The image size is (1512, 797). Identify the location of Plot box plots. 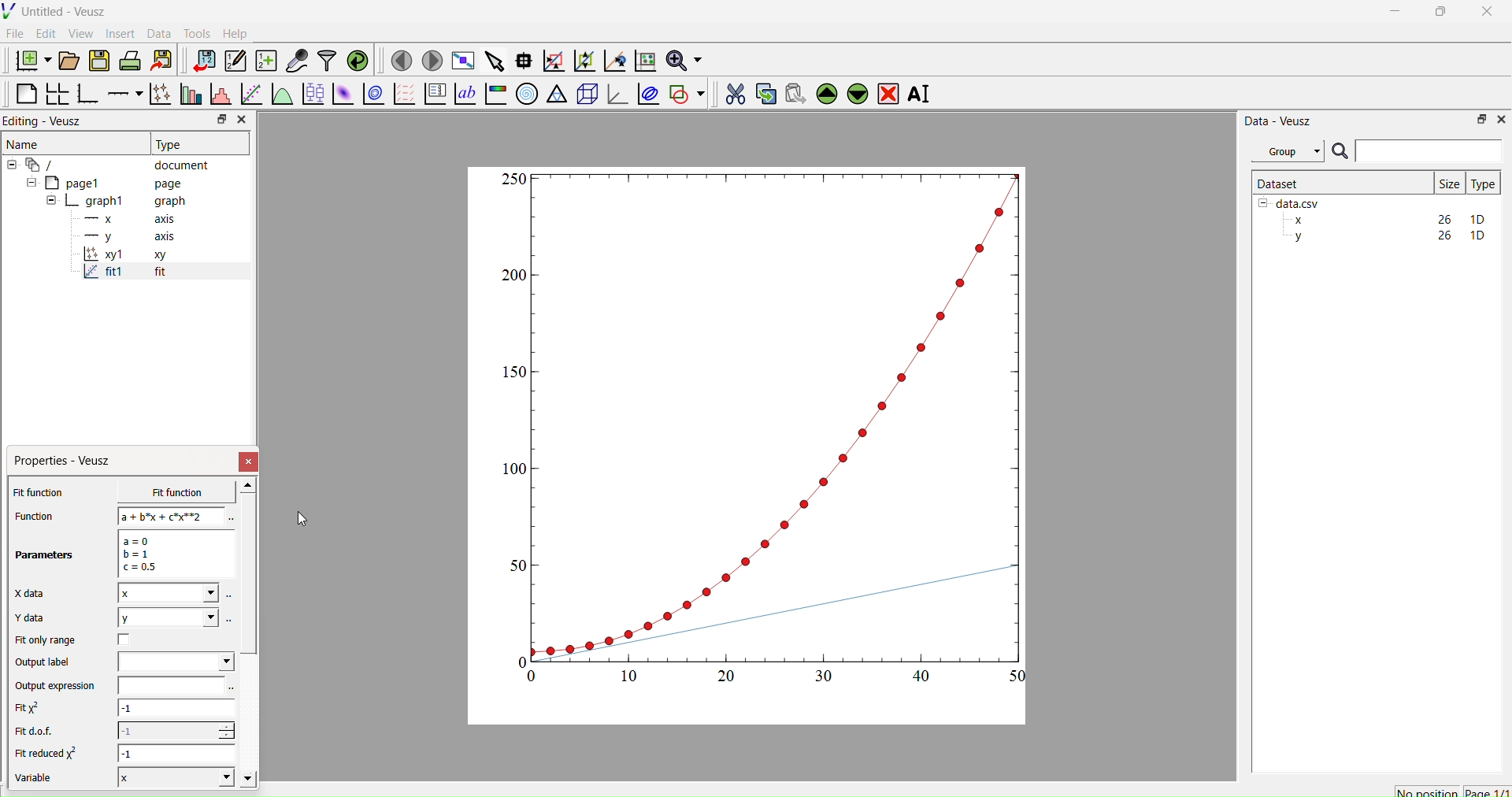
(313, 94).